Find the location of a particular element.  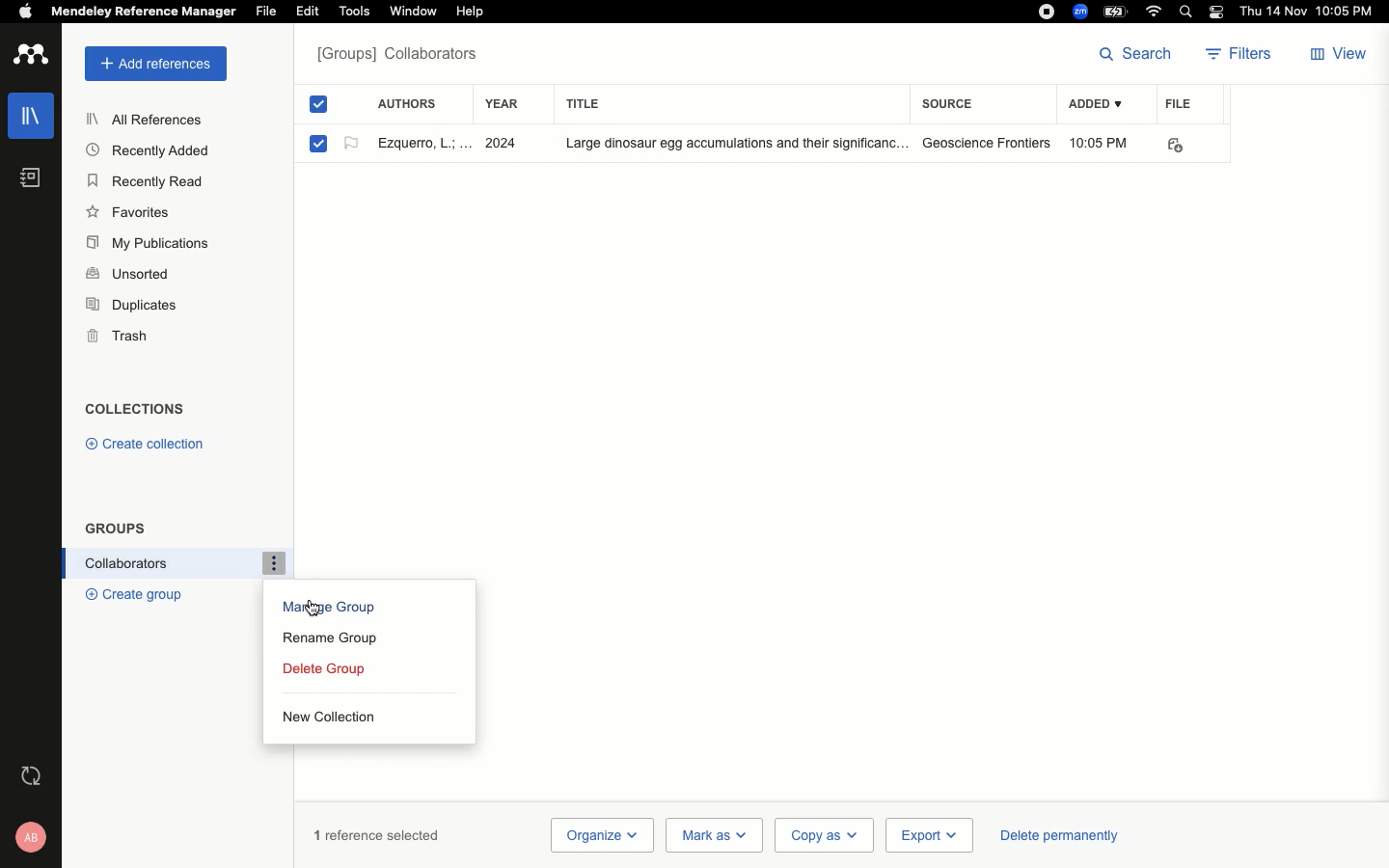

Rename group is located at coordinates (338, 639).